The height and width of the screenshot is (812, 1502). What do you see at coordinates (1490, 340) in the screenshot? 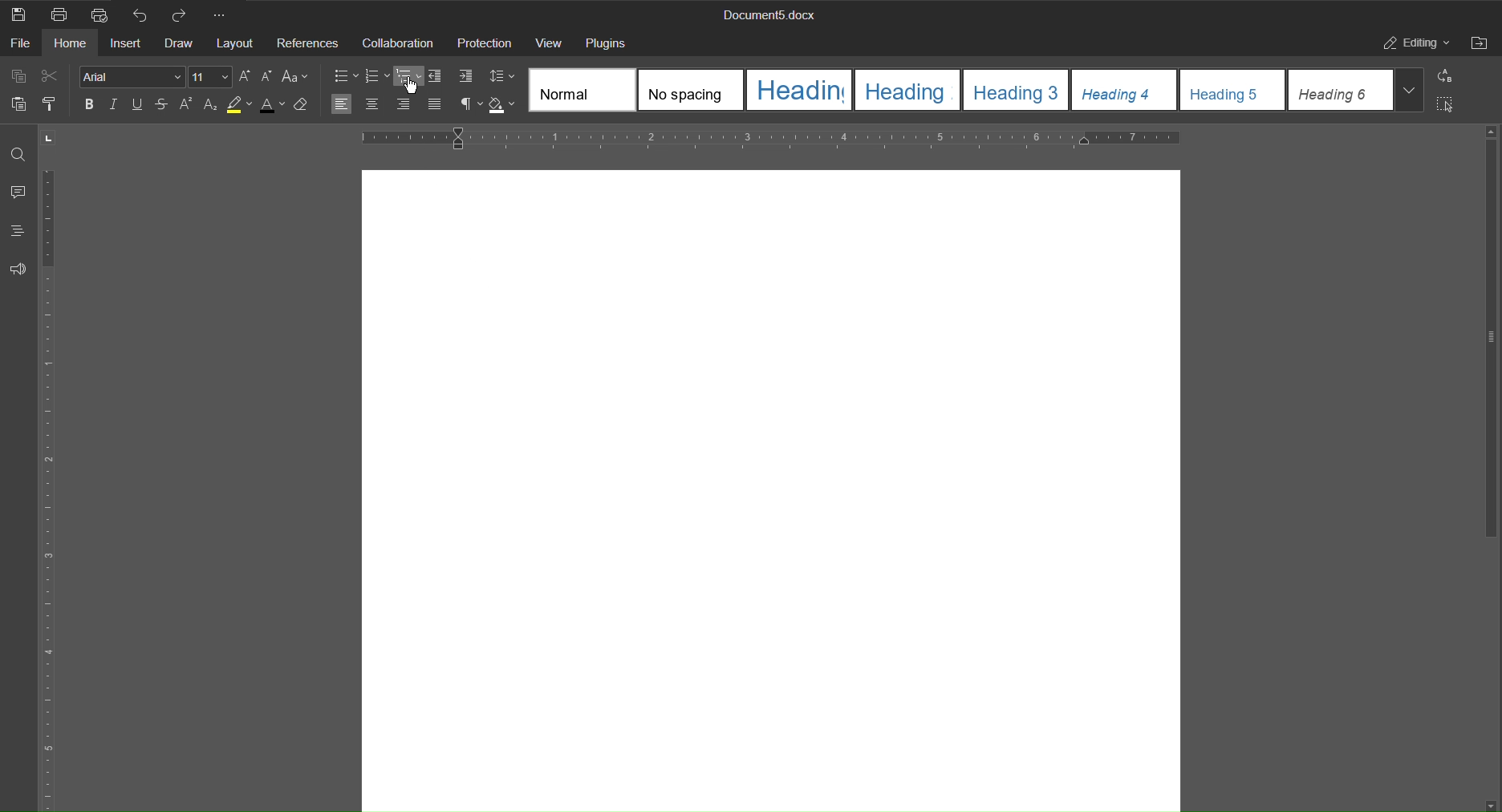
I see `vertical scrollbar` at bounding box center [1490, 340].